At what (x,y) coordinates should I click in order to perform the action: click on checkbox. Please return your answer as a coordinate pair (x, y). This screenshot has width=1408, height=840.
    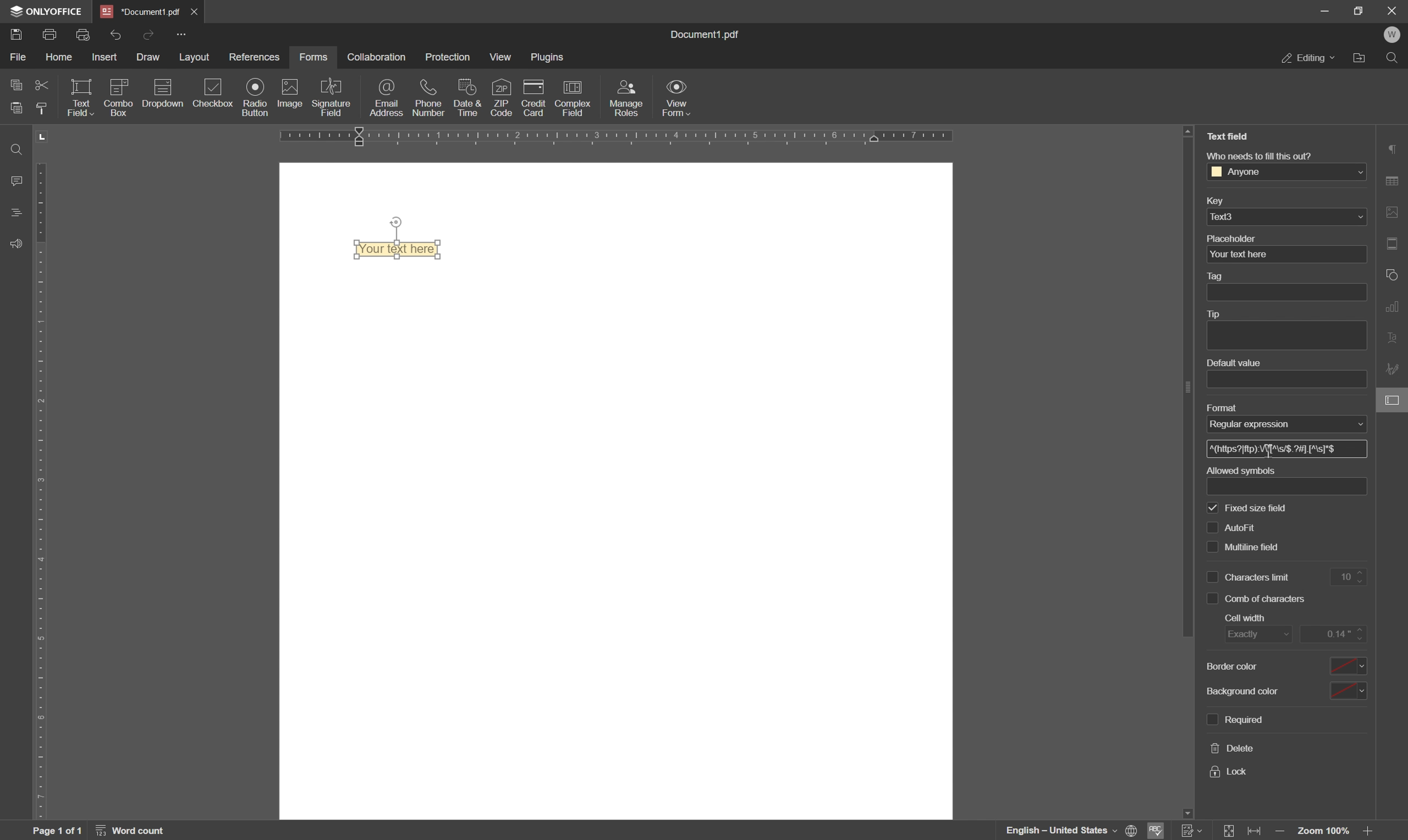
    Looking at the image, I should click on (1211, 718).